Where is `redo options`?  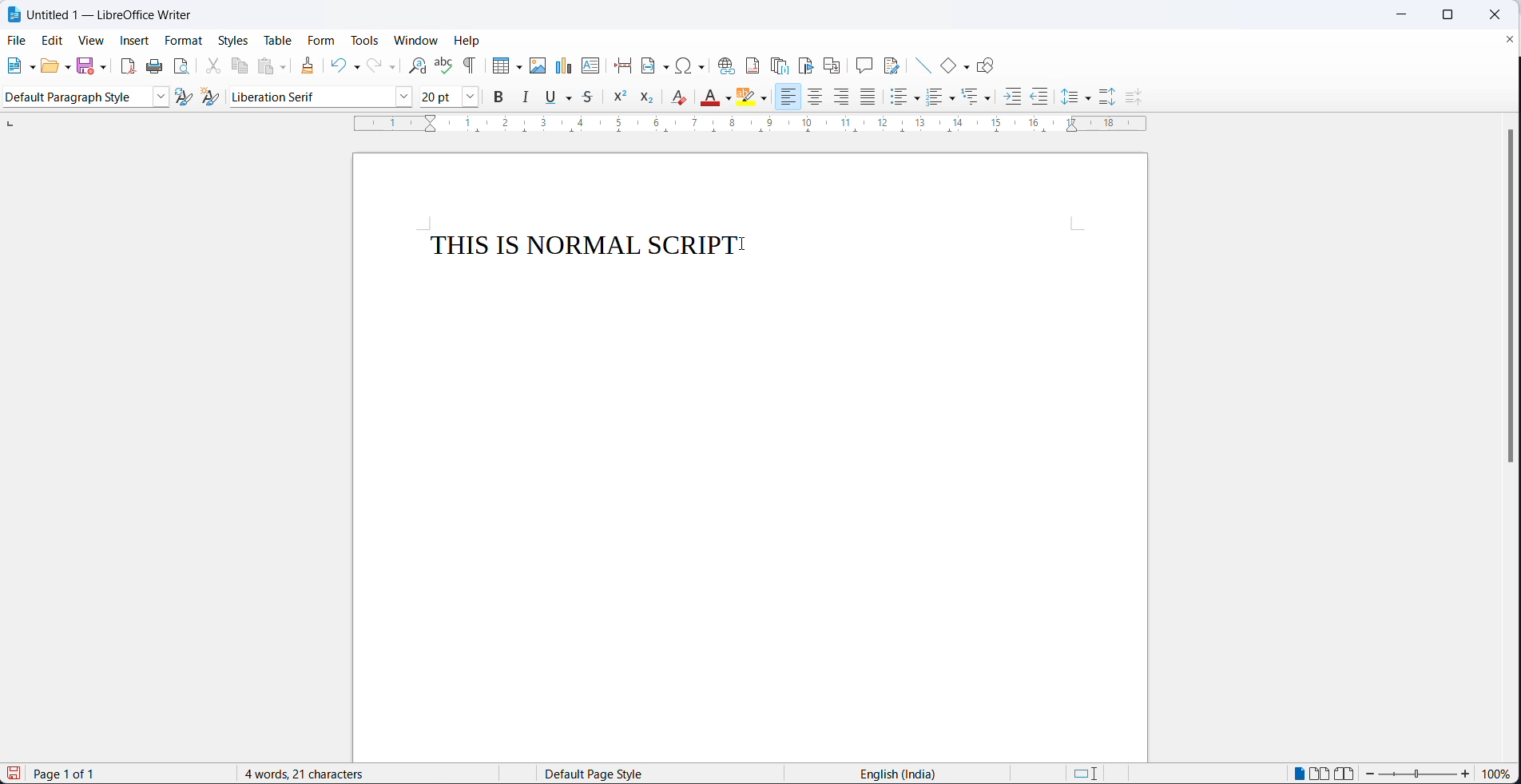
redo options is located at coordinates (392, 67).